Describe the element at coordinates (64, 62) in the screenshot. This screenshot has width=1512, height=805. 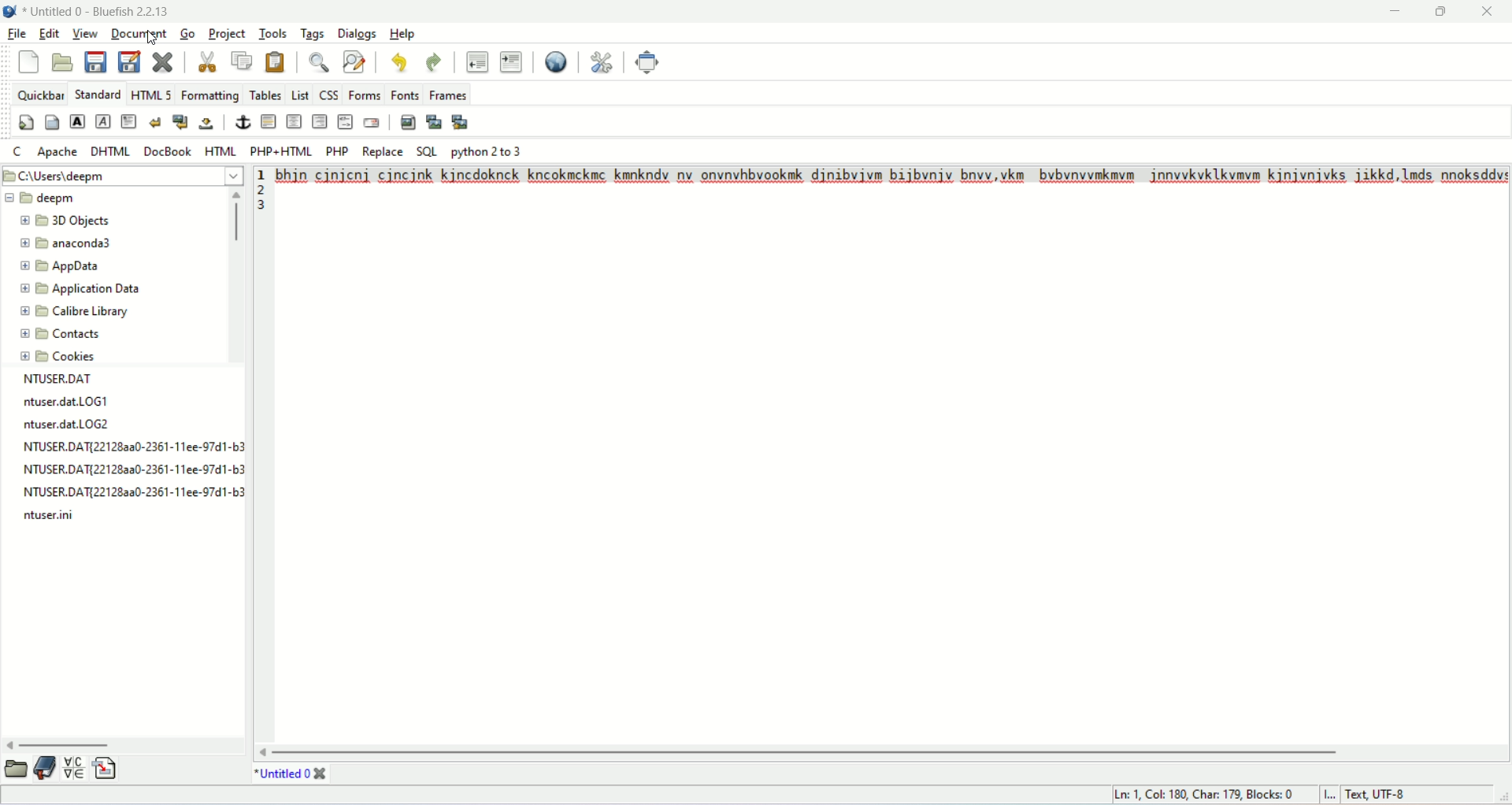
I see `open file` at that location.